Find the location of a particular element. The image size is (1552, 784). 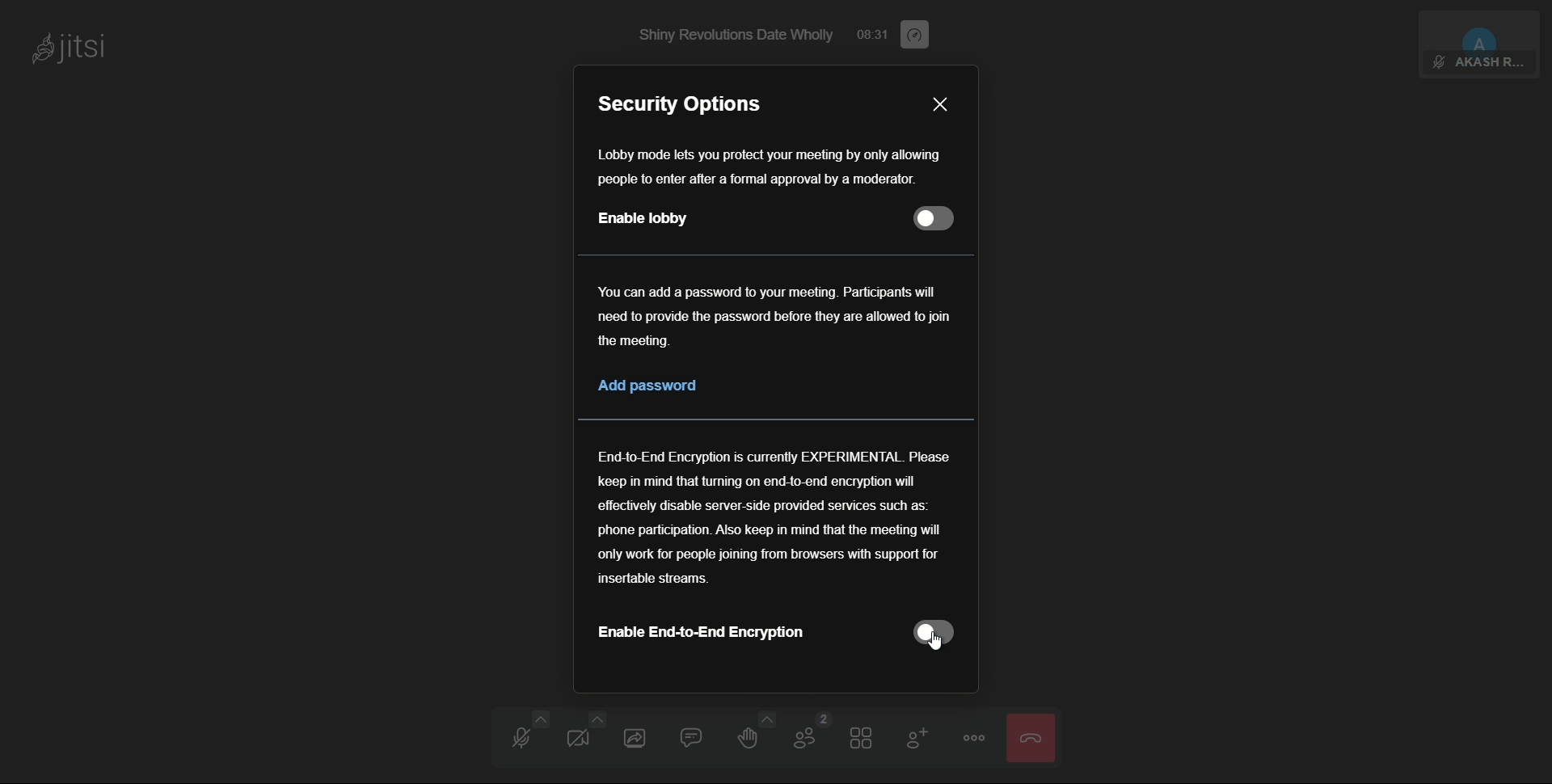

toggle switch is located at coordinates (937, 218).